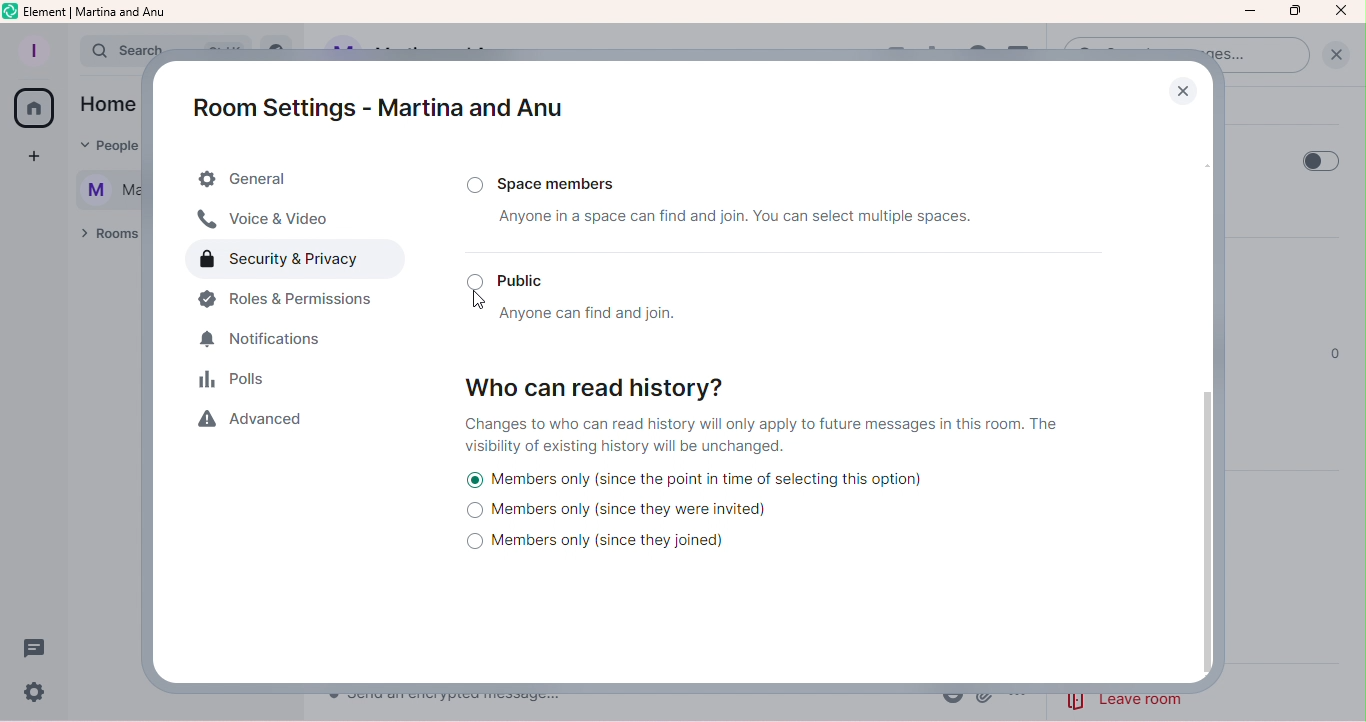 The image size is (1366, 722). I want to click on Room settings - Martina and Anu, so click(373, 107).